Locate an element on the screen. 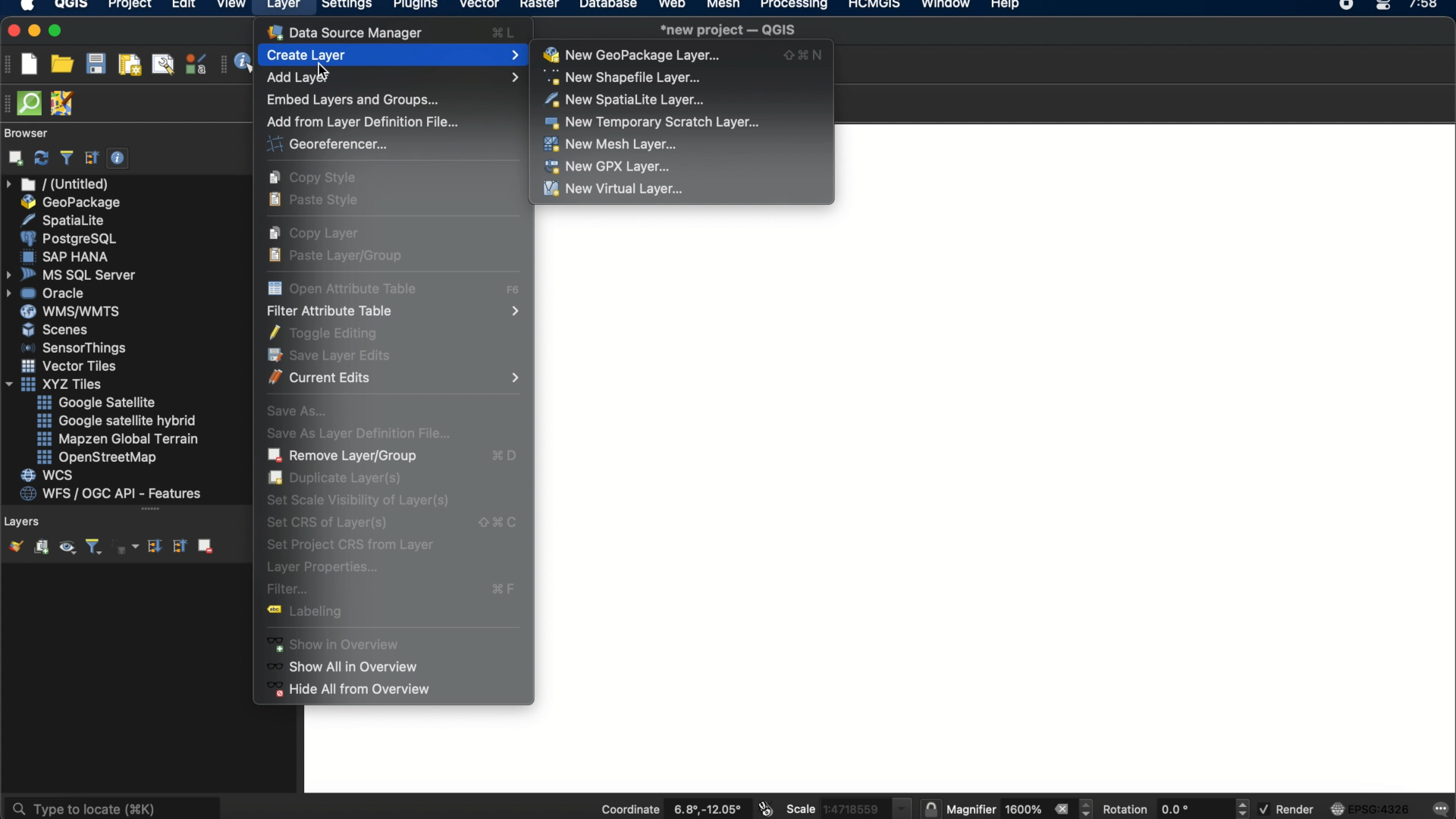  filter legend is located at coordinates (93, 548).